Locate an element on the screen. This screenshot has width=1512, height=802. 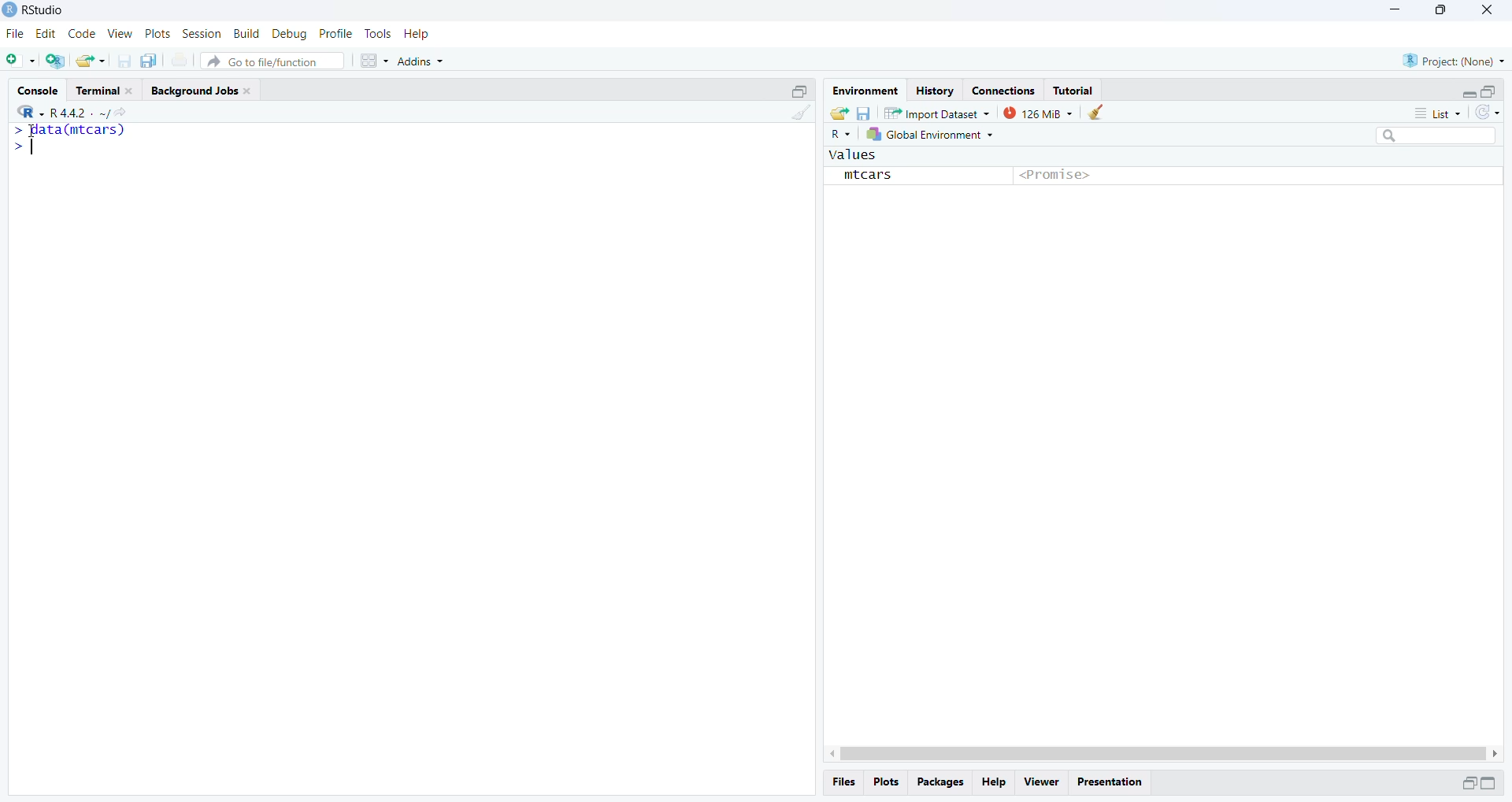
save all open document is located at coordinates (151, 61).